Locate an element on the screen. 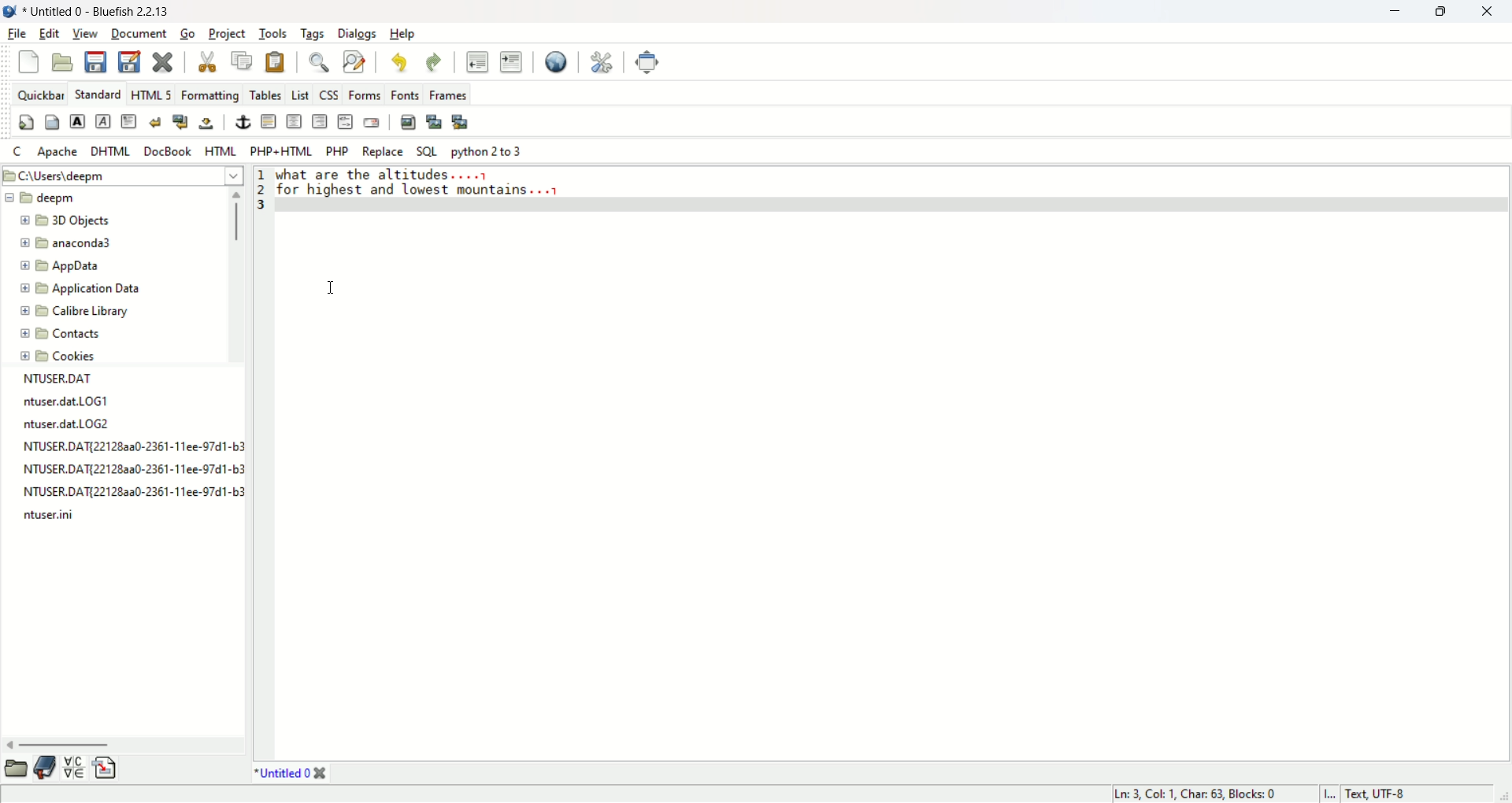 This screenshot has height=803, width=1512. line number is located at coordinates (263, 194).